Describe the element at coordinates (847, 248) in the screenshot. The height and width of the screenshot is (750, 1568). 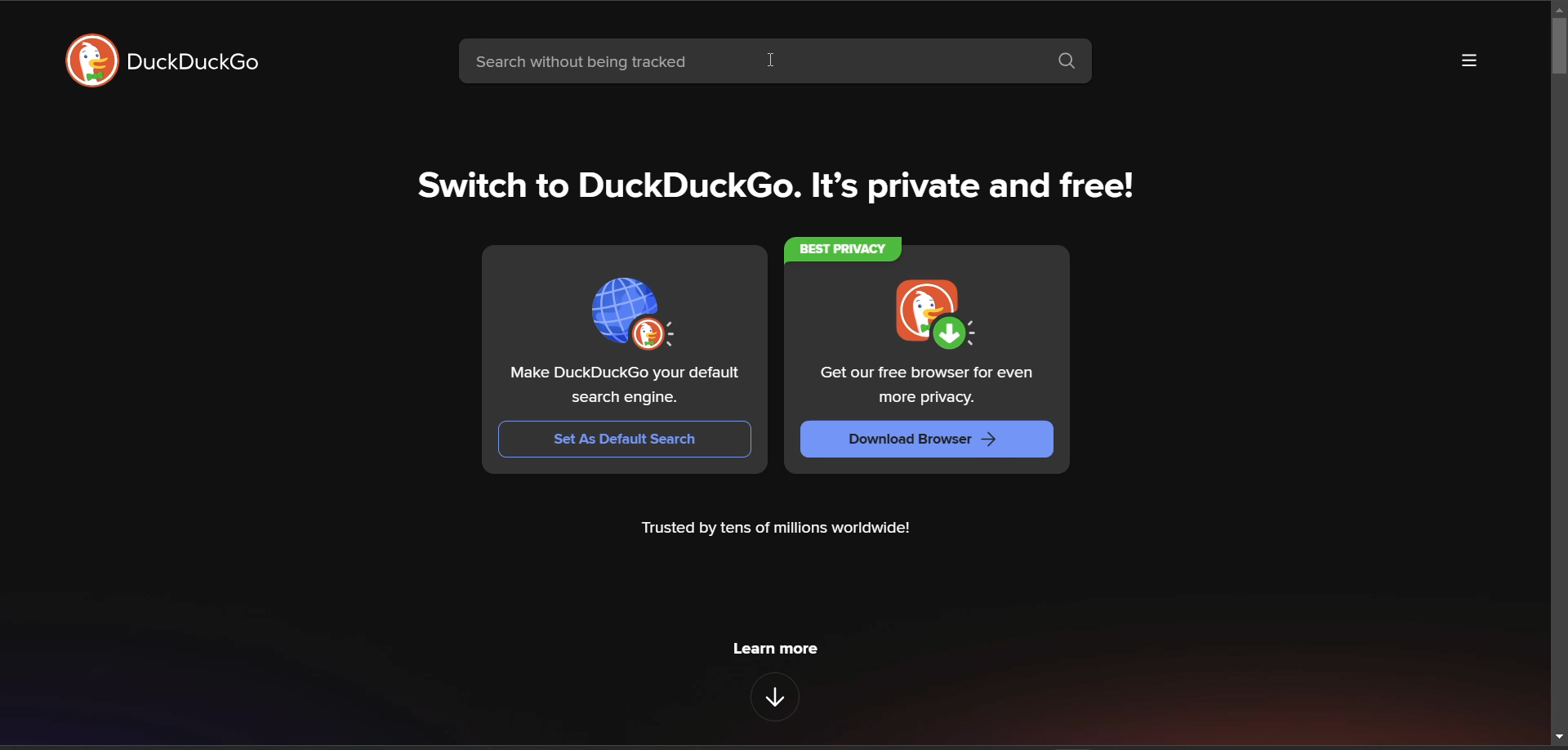
I see `BEST PRIVACY` at that location.